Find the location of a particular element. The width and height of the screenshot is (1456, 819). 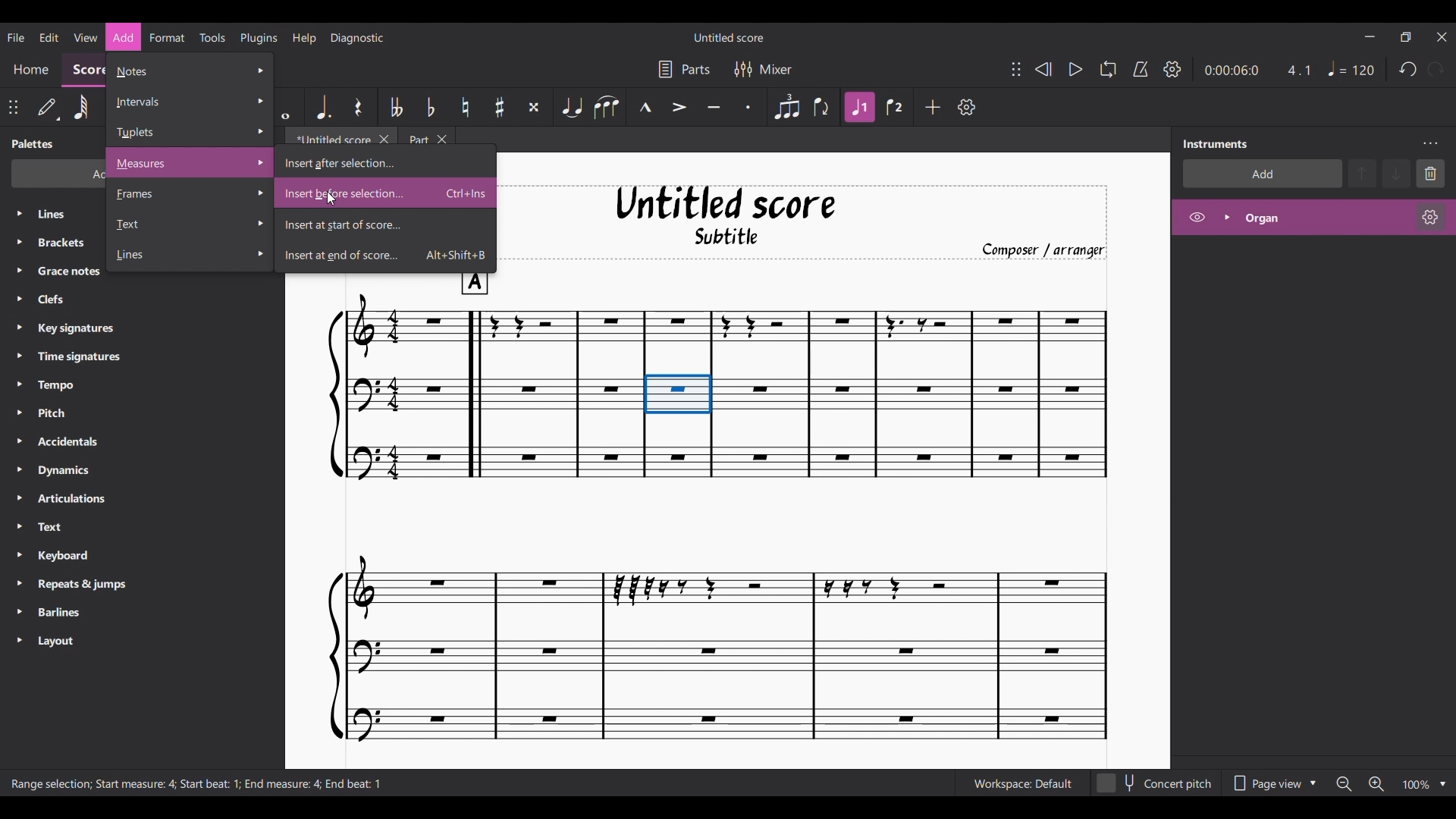

Slur is located at coordinates (607, 108).